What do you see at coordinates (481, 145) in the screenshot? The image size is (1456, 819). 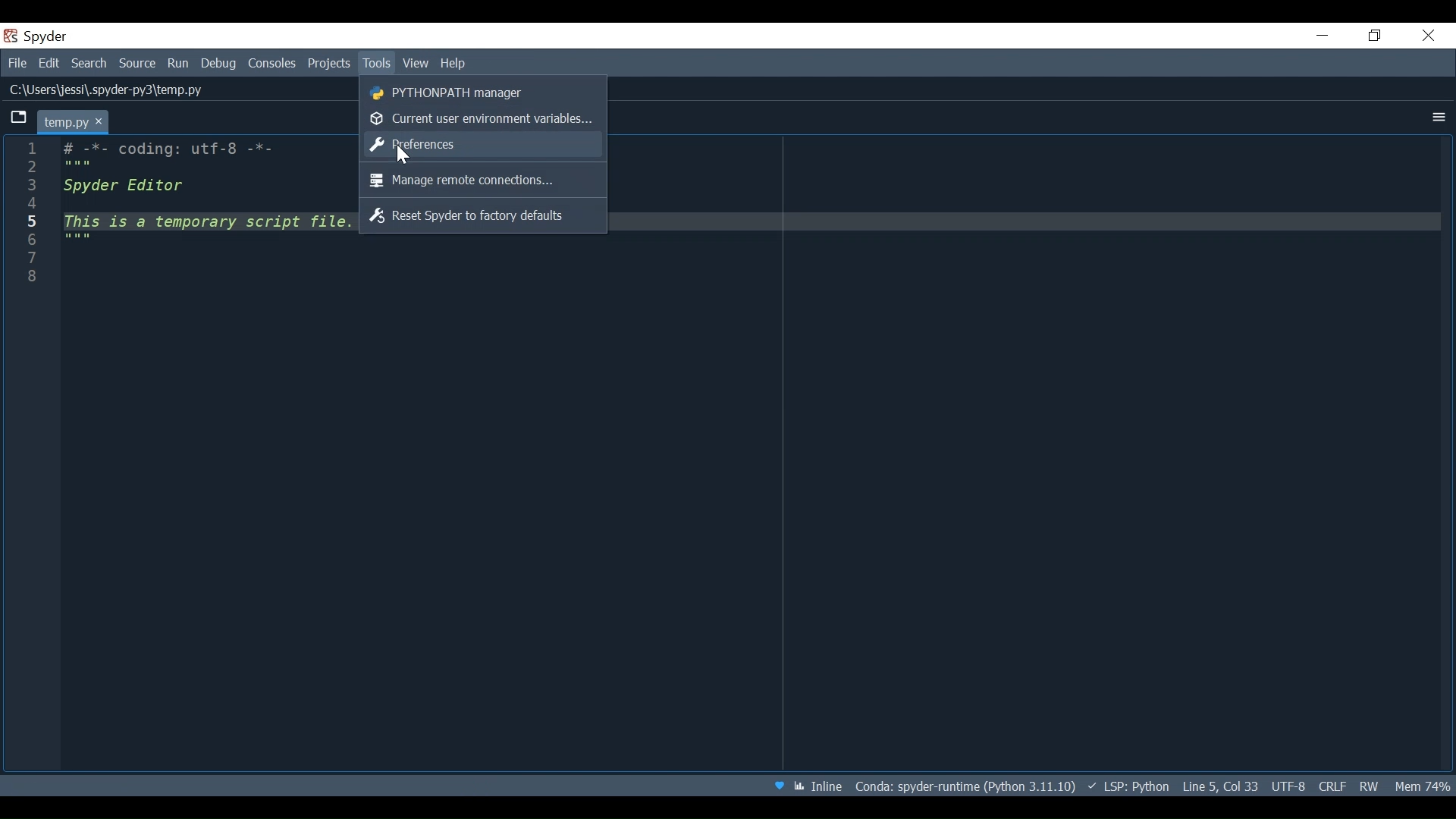 I see `Preference` at bounding box center [481, 145].